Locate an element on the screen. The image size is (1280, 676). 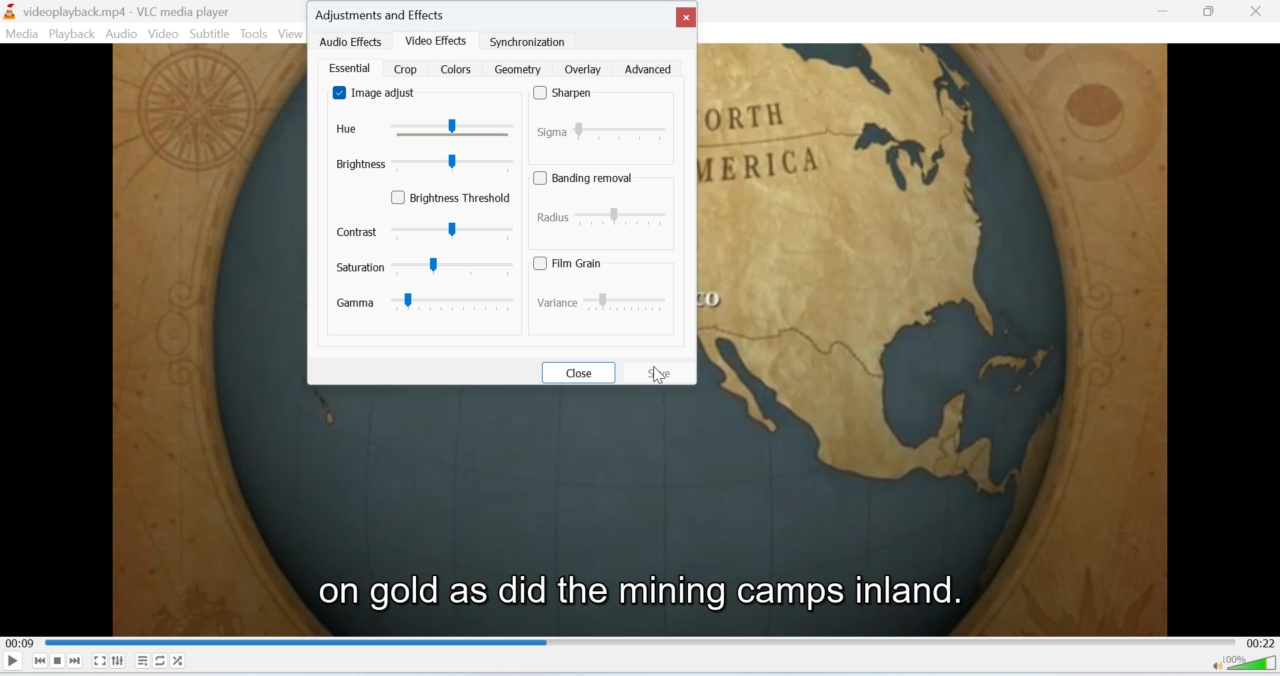
synchronization is located at coordinates (529, 42).